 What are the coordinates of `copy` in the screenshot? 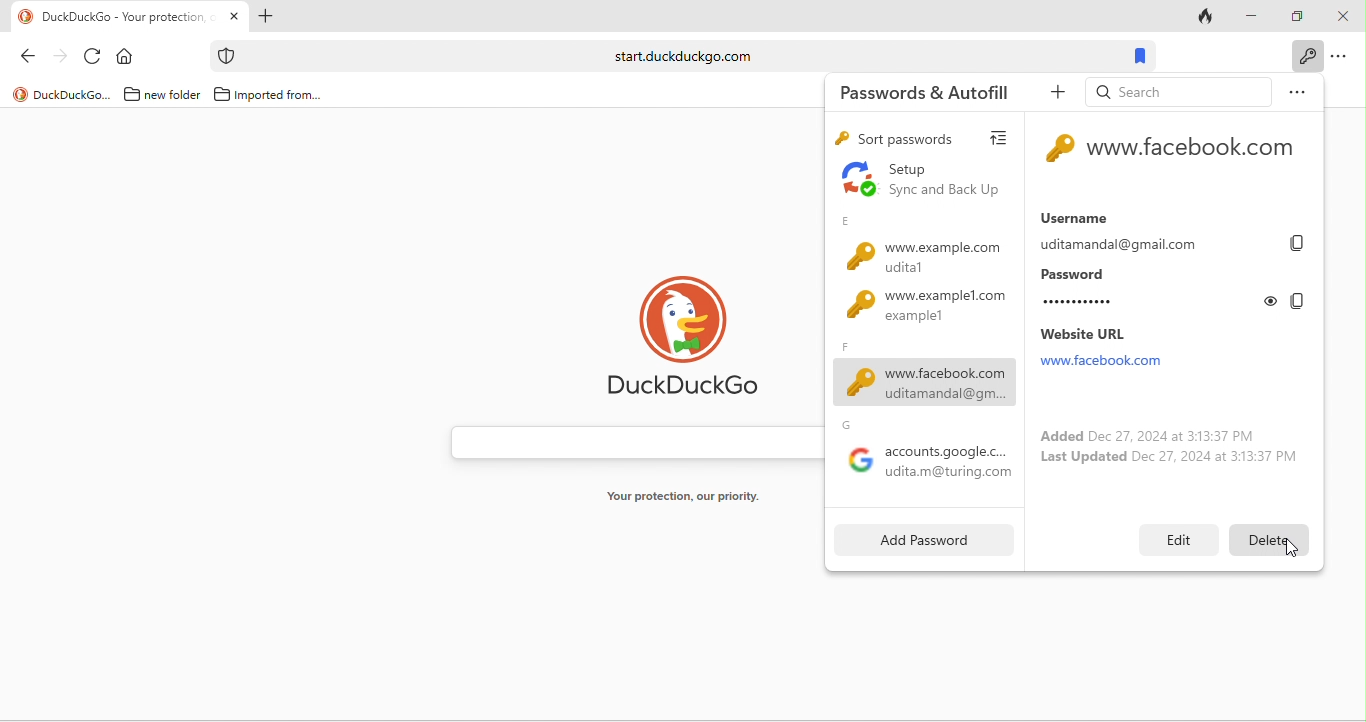 It's located at (1301, 244).